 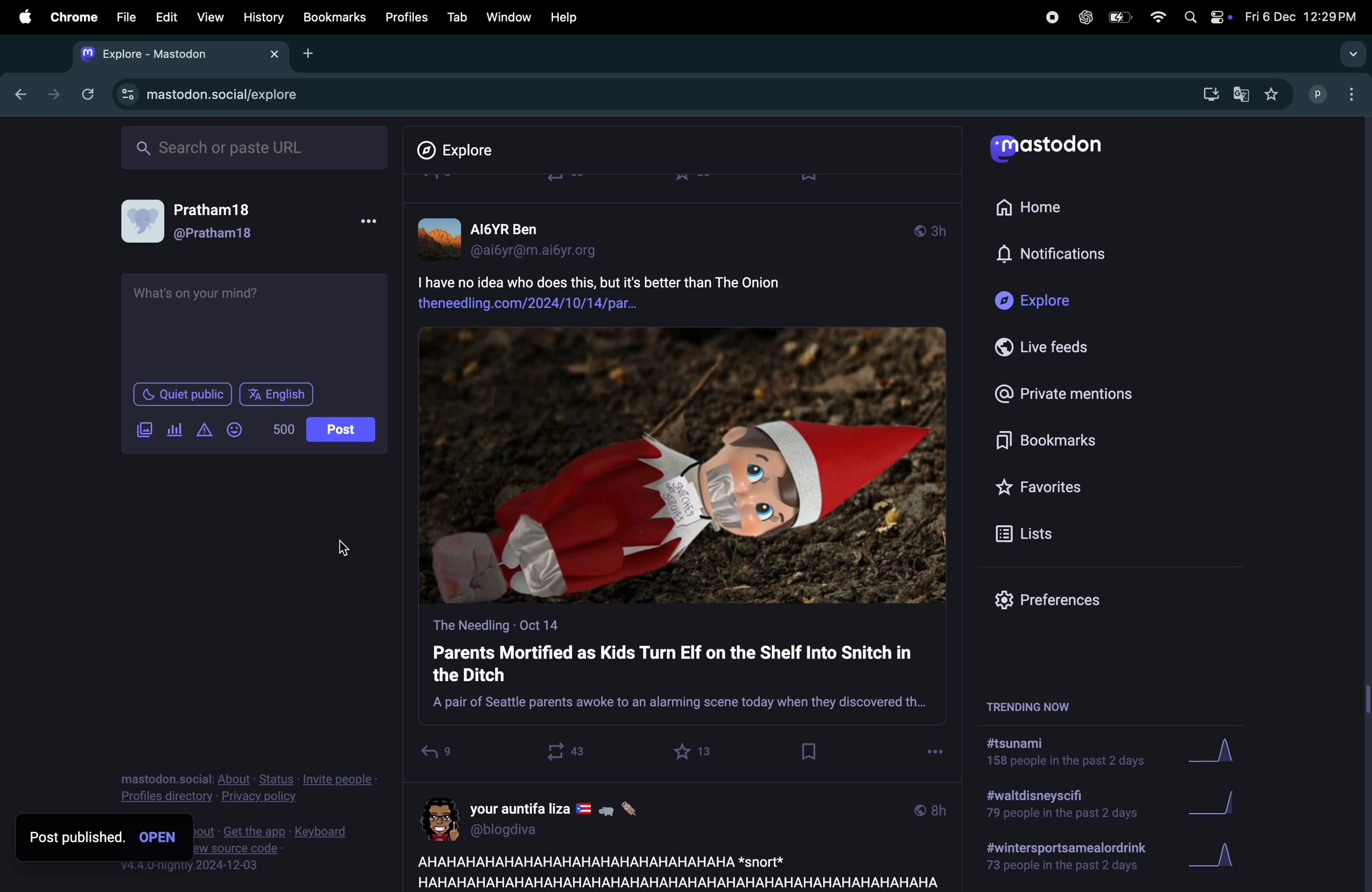 What do you see at coordinates (126, 17) in the screenshot?
I see `file` at bounding box center [126, 17].